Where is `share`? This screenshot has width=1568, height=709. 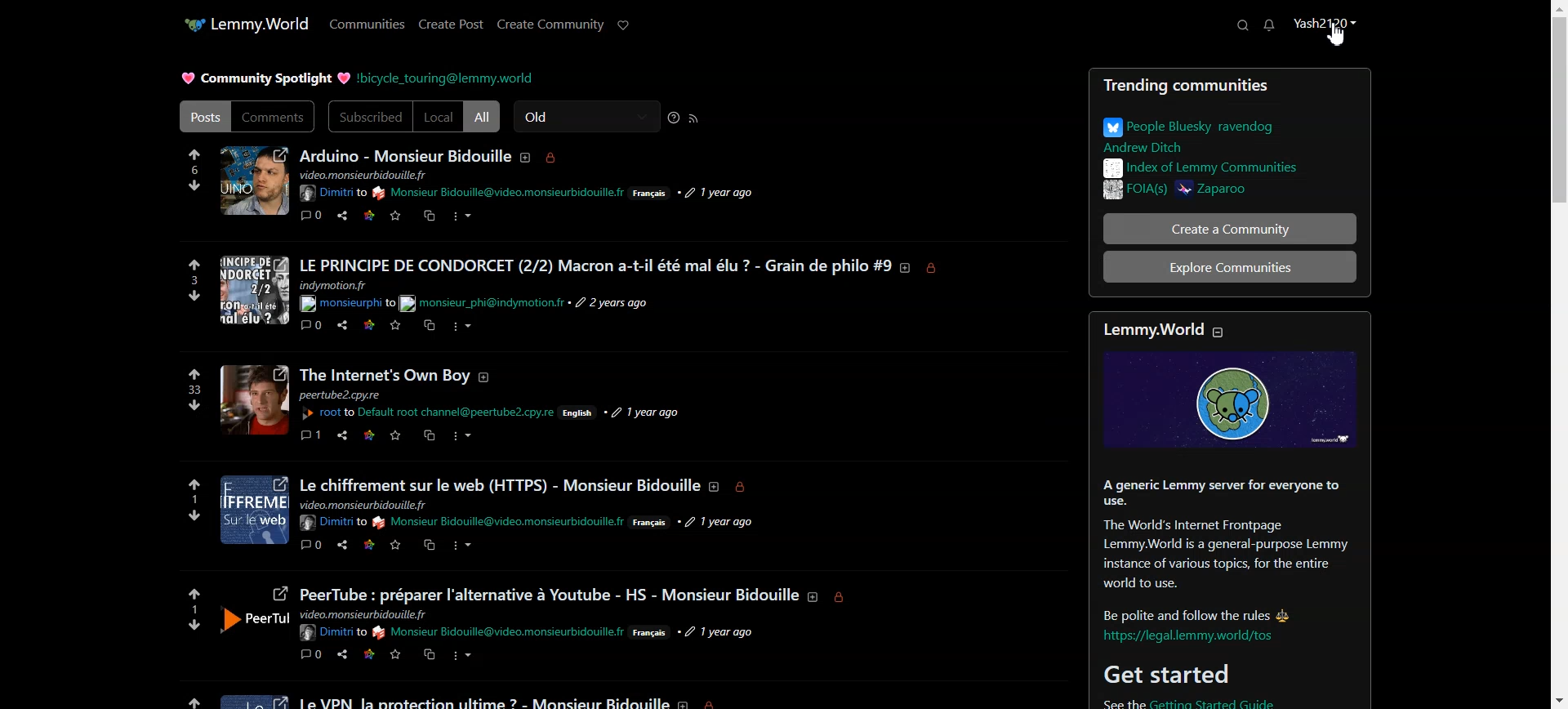 share is located at coordinates (341, 653).